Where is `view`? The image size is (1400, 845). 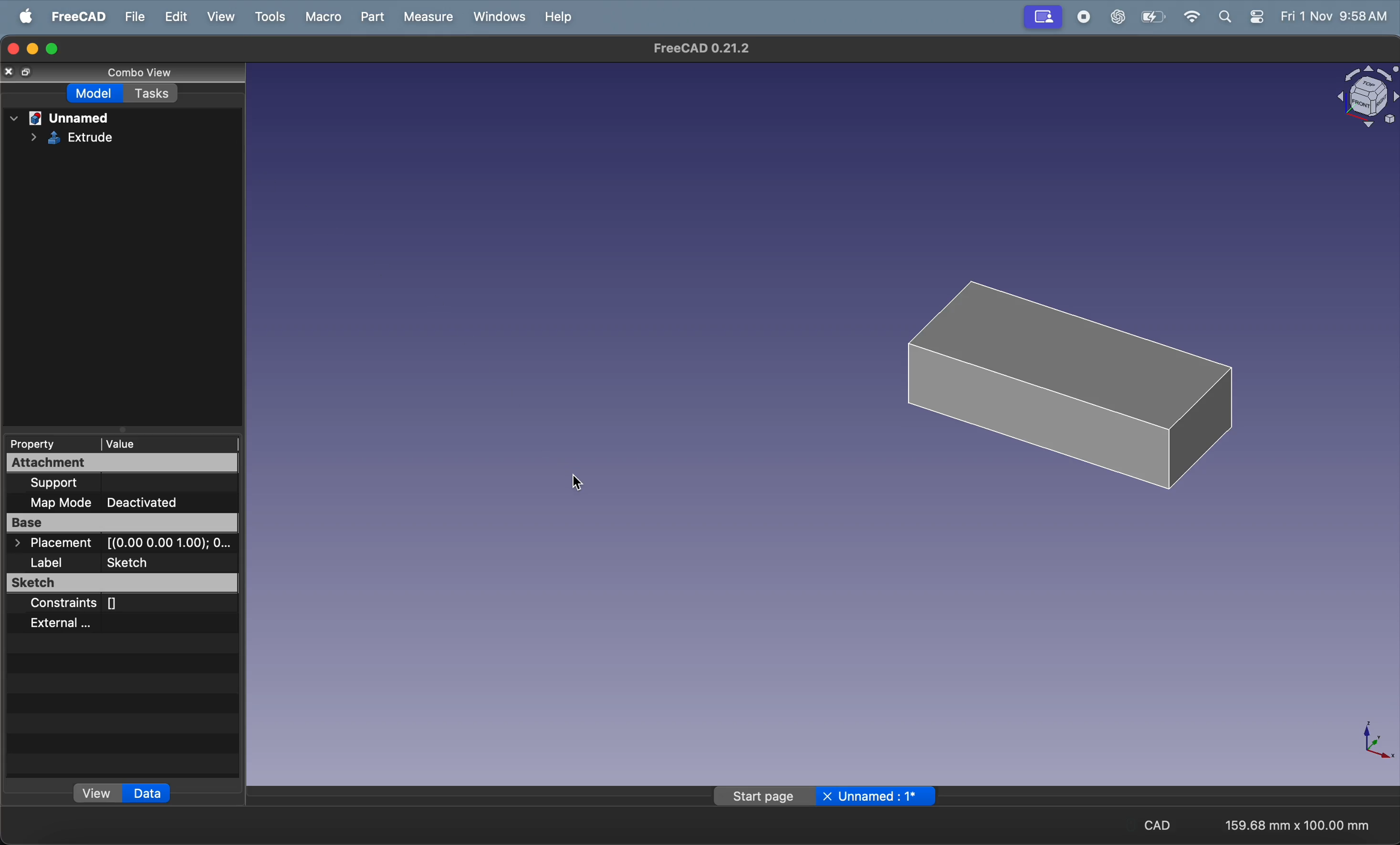
view is located at coordinates (97, 793).